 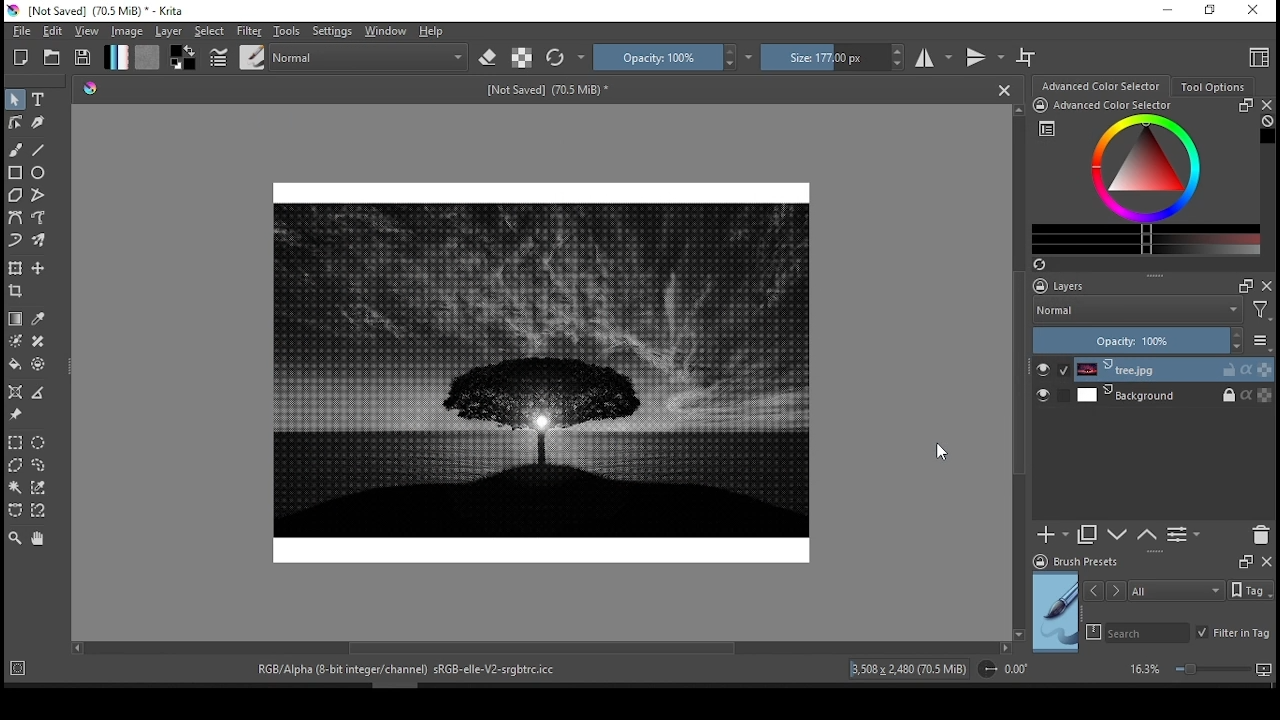 I want to click on layer visibility on/off, so click(x=1048, y=396).